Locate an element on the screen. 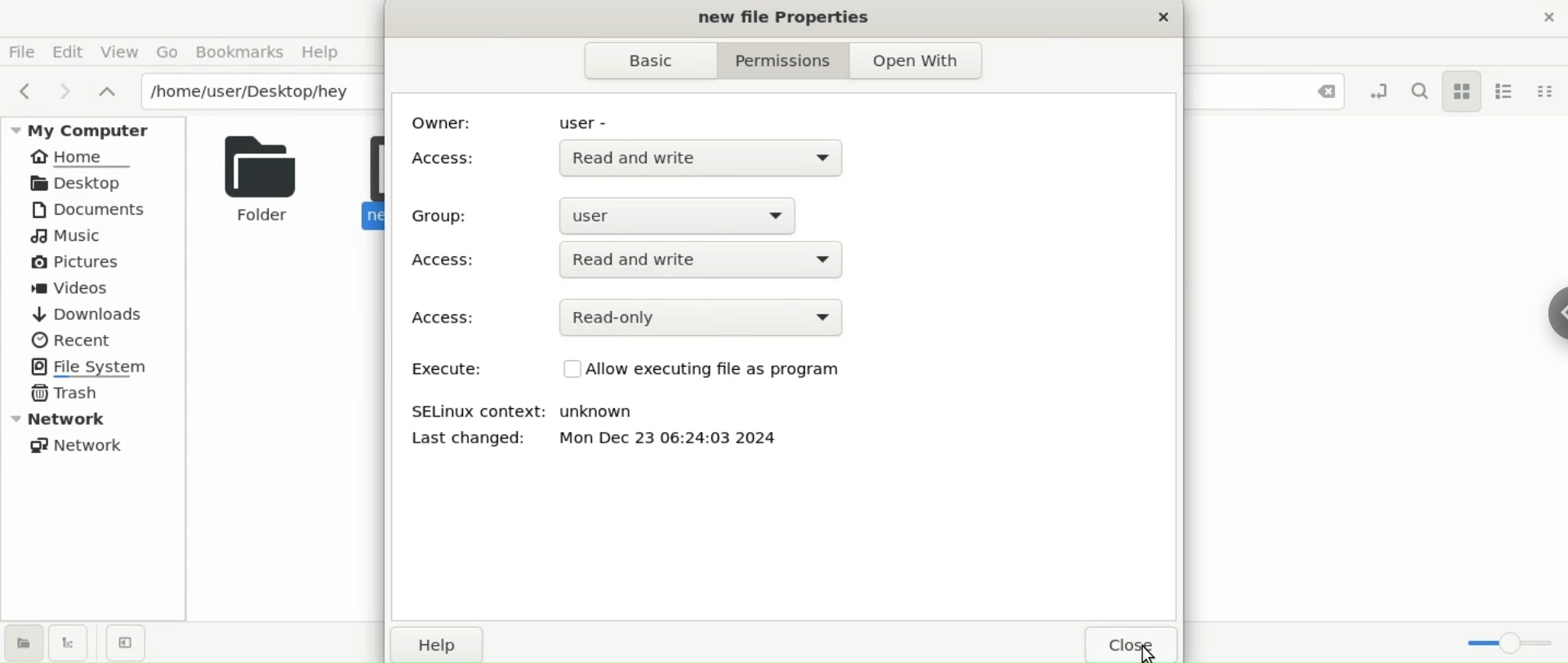 The height and width of the screenshot is (663, 1568). cursor is located at coordinates (1147, 650).